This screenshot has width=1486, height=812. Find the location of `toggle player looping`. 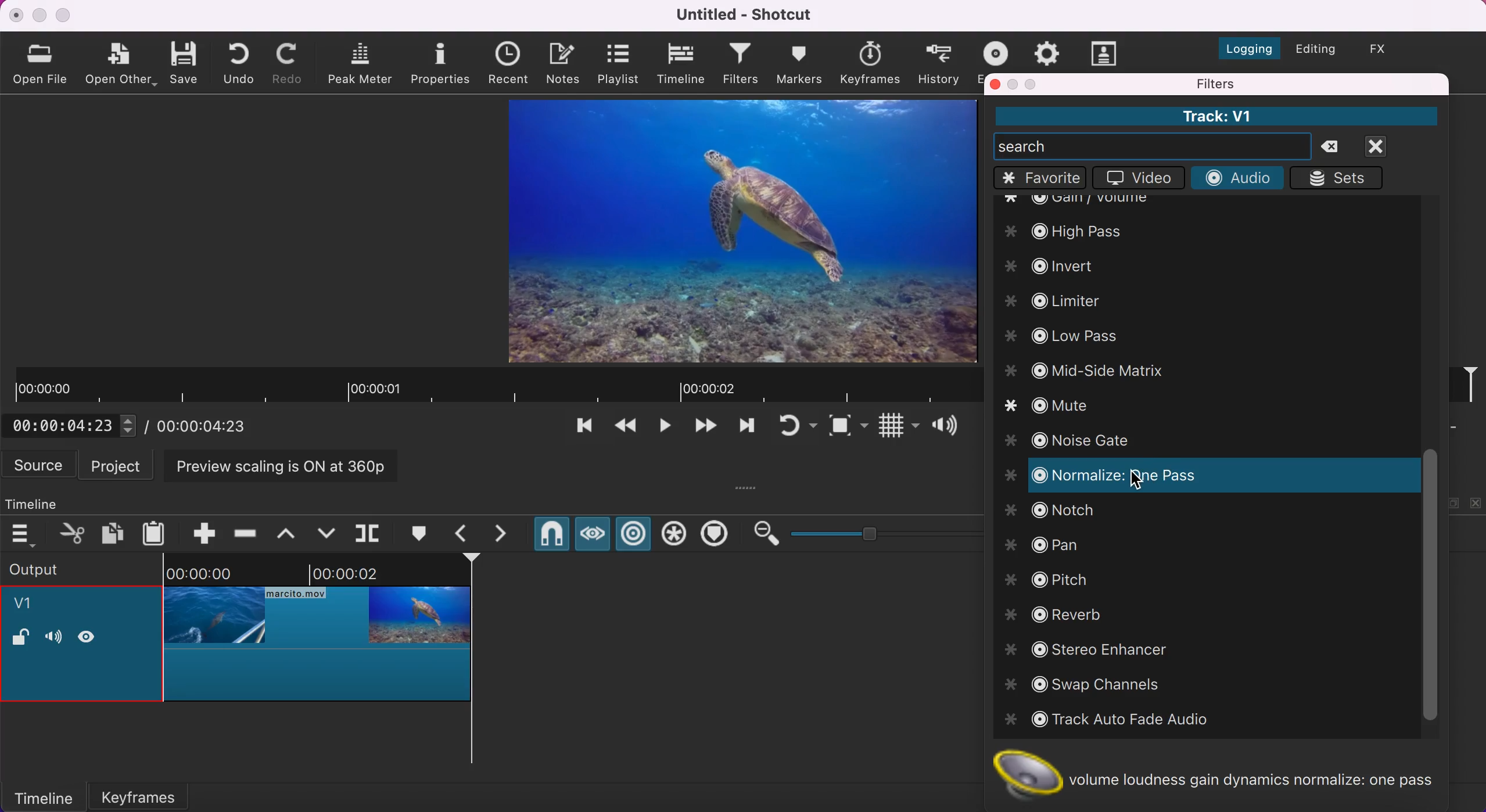

toggle player looping is located at coordinates (796, 427).